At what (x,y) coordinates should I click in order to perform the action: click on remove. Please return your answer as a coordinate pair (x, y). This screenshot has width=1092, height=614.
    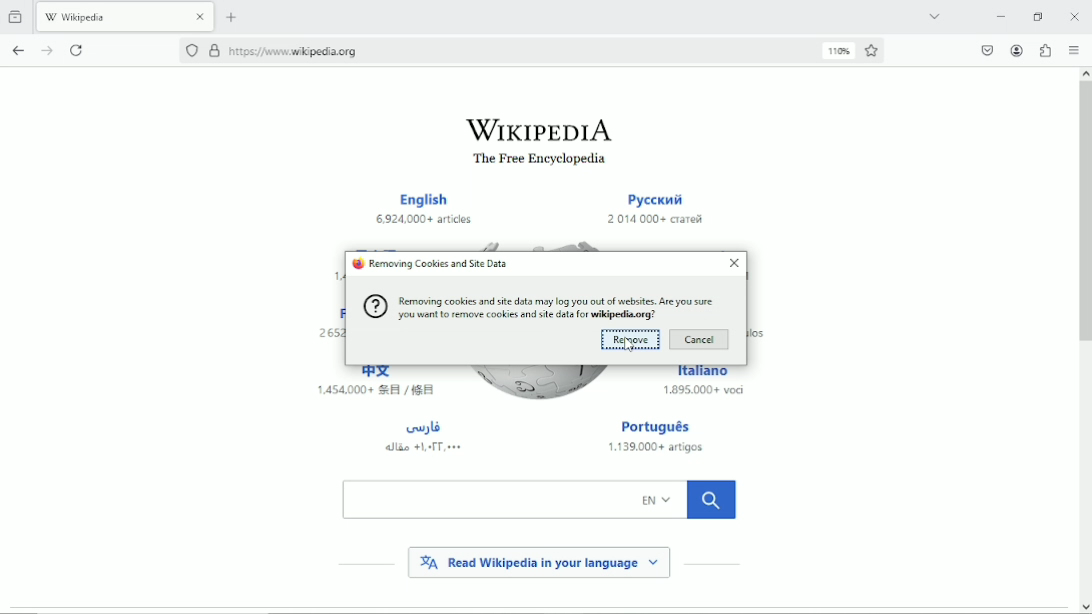
    Looking at the image, I should click on (631, 339).